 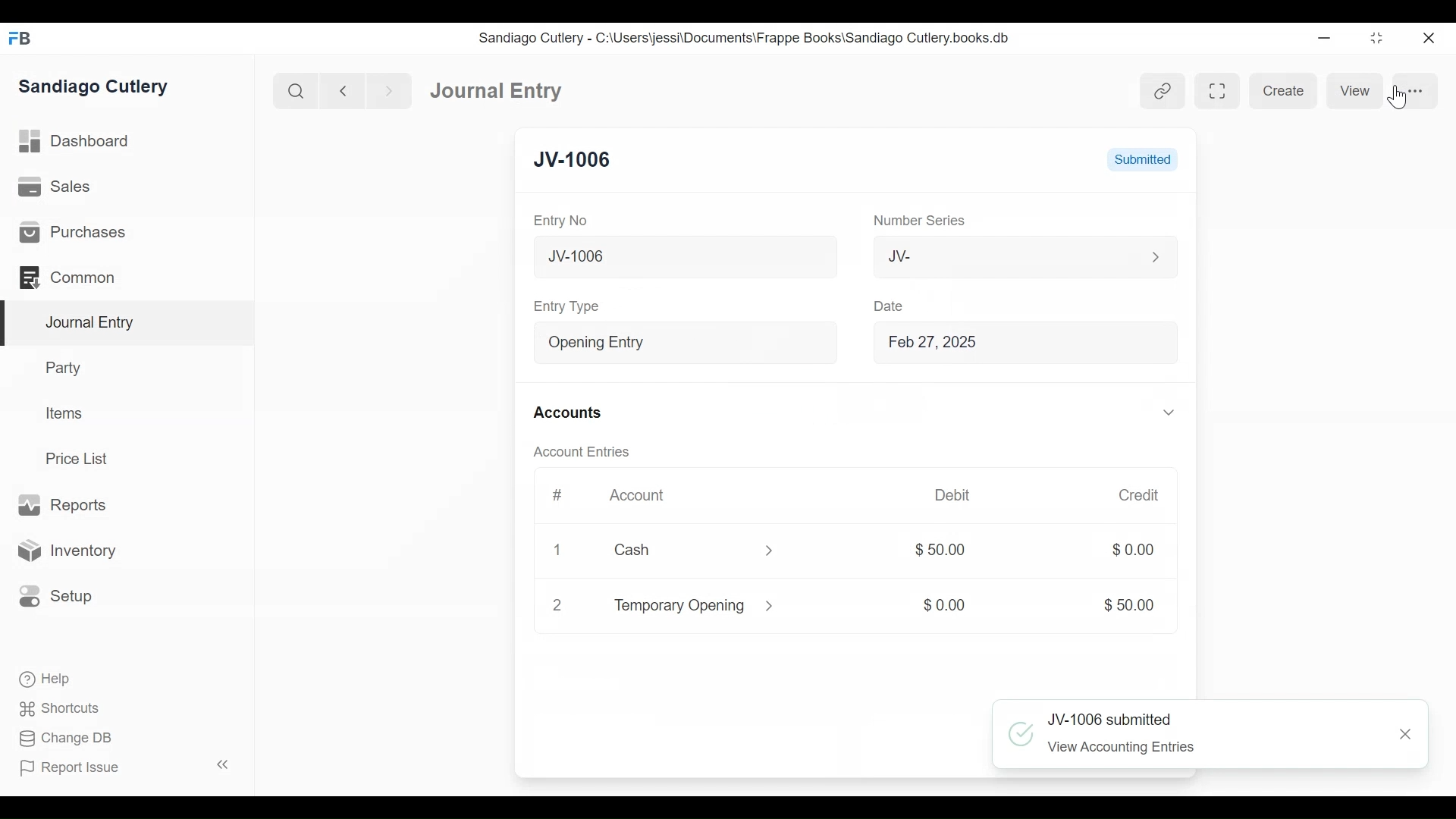 I want to click on Expand, so click(x=1154, y=257).